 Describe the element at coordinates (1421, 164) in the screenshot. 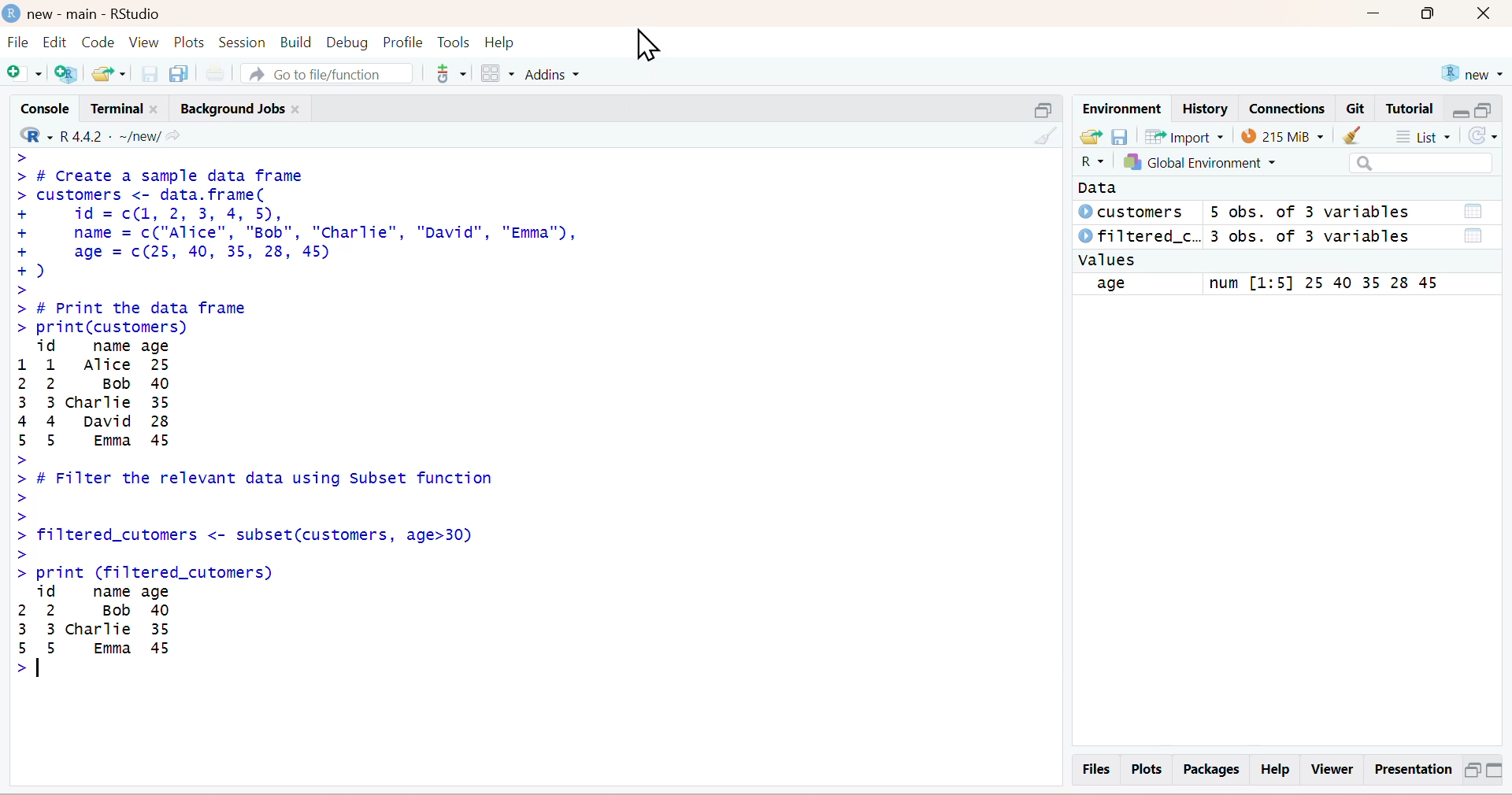

I see `Search bar` at that location.